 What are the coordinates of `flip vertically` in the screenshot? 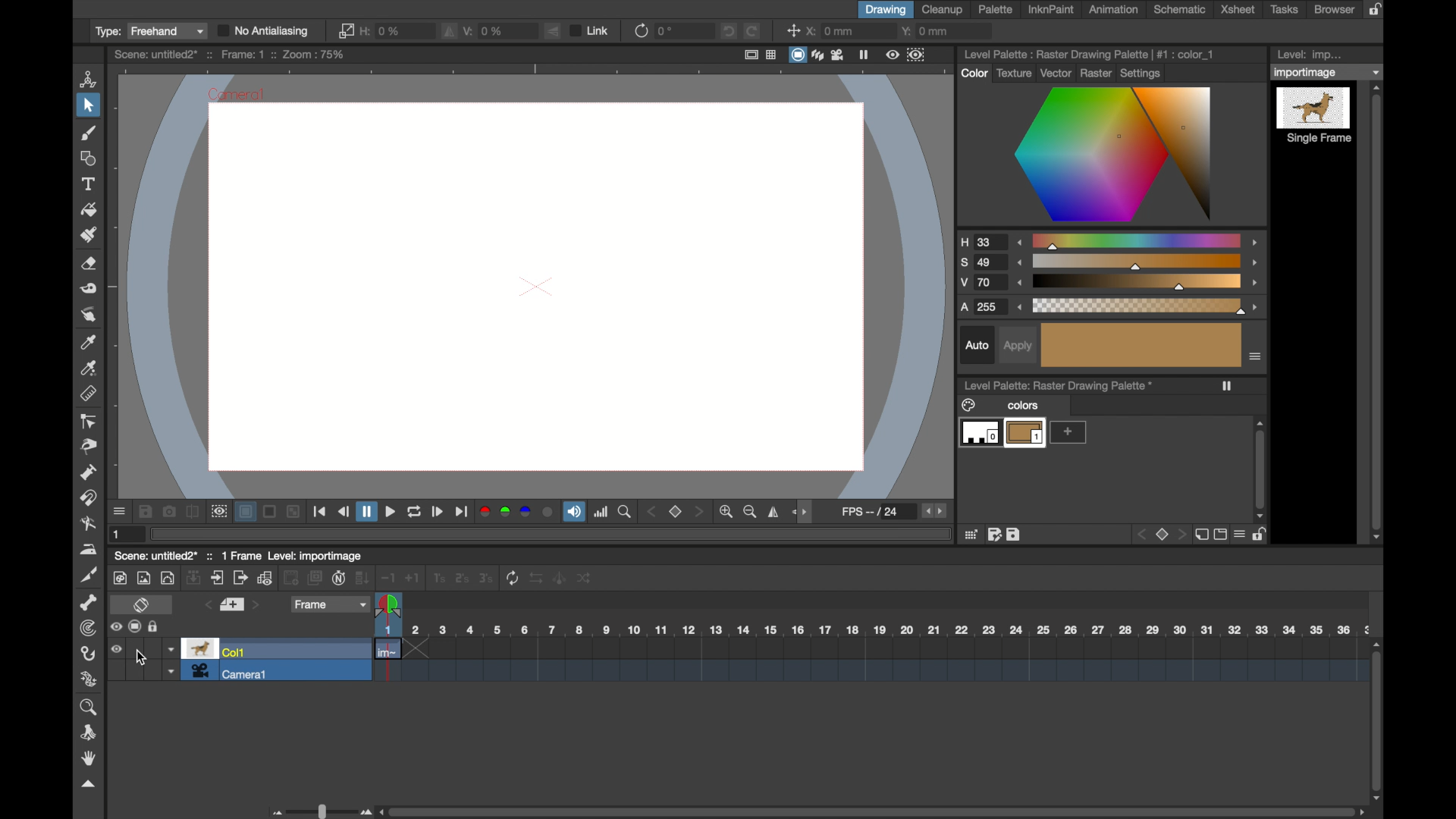 It's located at (554, 31).